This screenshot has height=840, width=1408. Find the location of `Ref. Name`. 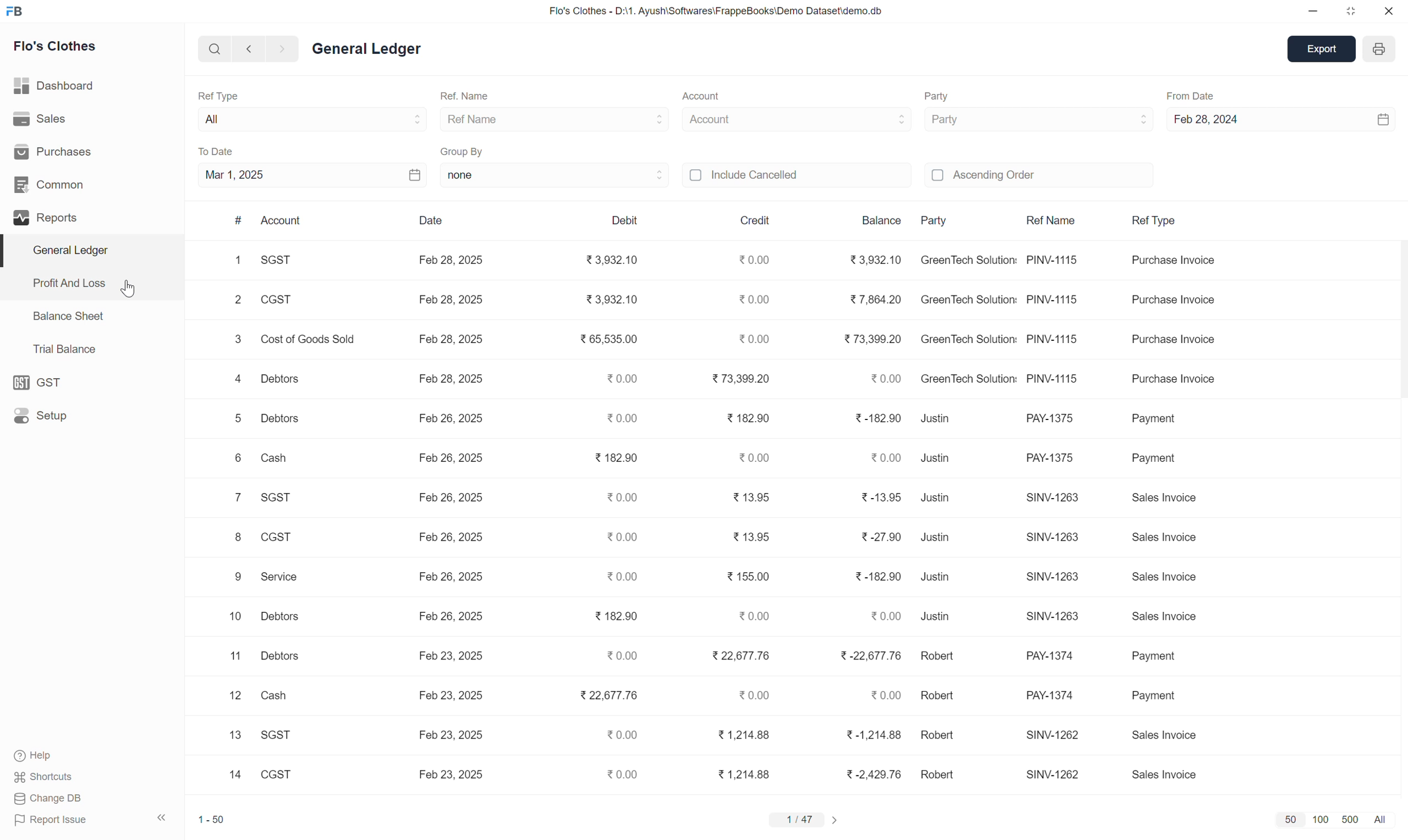

Ref. Name is located at coordinates (472, 93).